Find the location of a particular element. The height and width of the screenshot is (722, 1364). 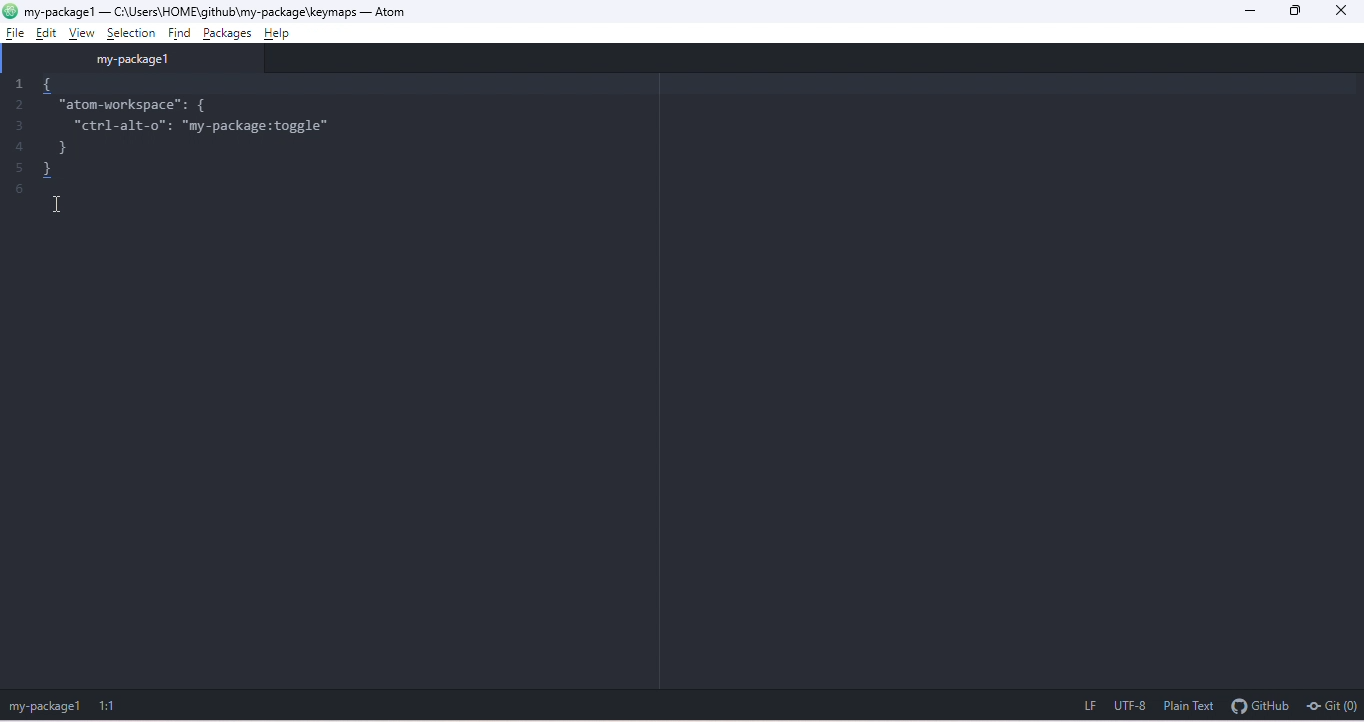

github is located at coordinates (1267, 708).